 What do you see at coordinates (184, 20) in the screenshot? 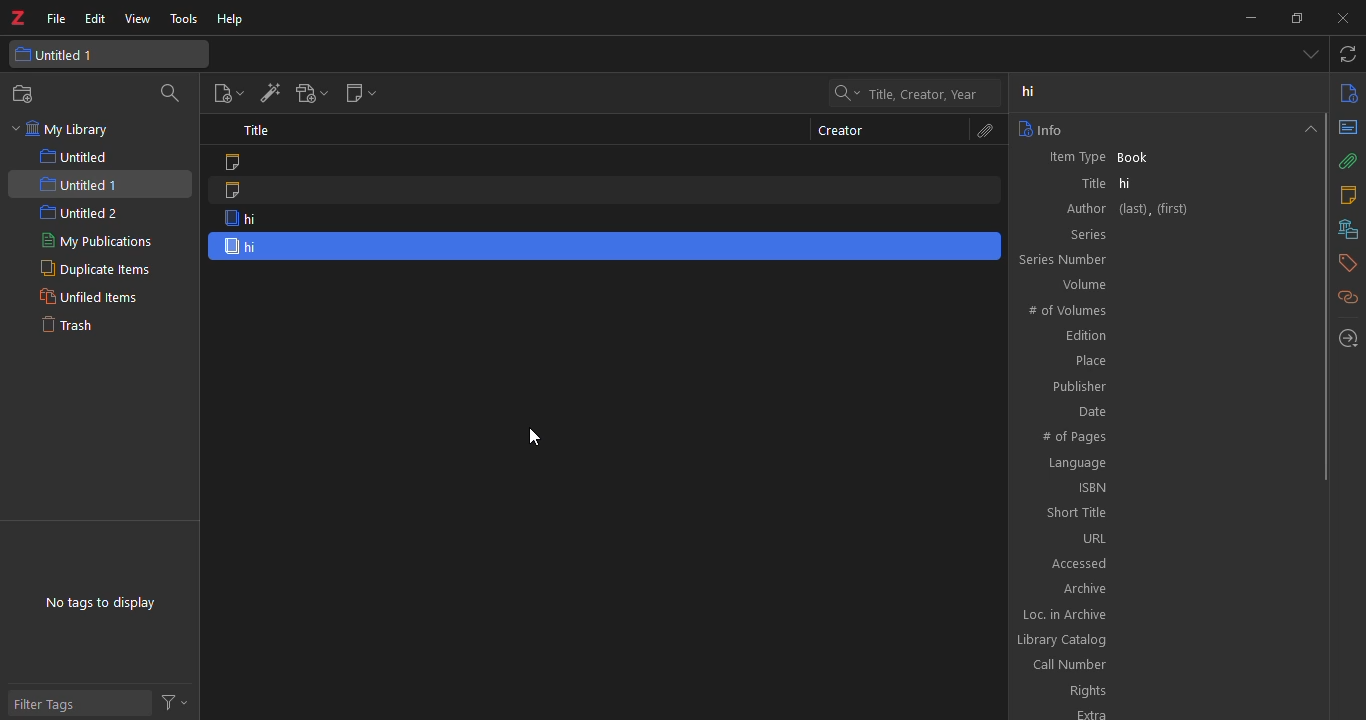
I see `tools` at bounding box center [184, 20].